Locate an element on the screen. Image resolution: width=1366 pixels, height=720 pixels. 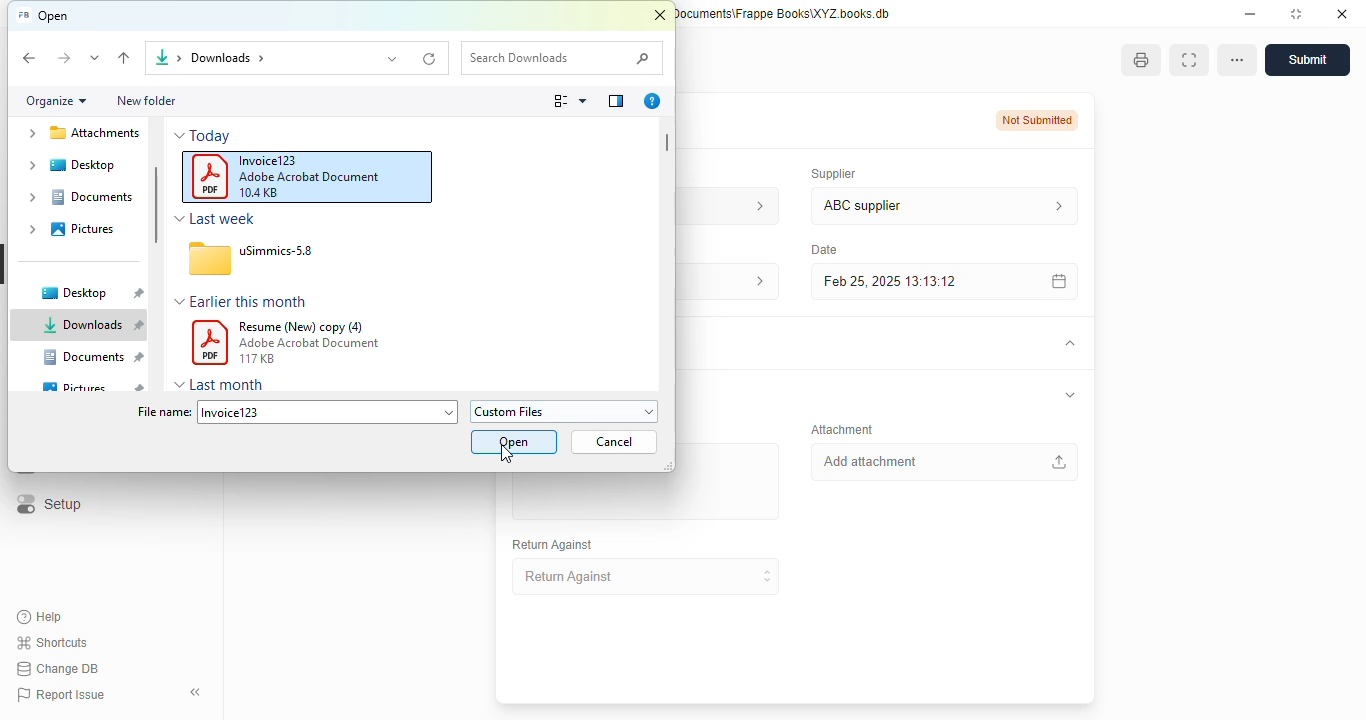
pictures is located at coordinates (81, 229).